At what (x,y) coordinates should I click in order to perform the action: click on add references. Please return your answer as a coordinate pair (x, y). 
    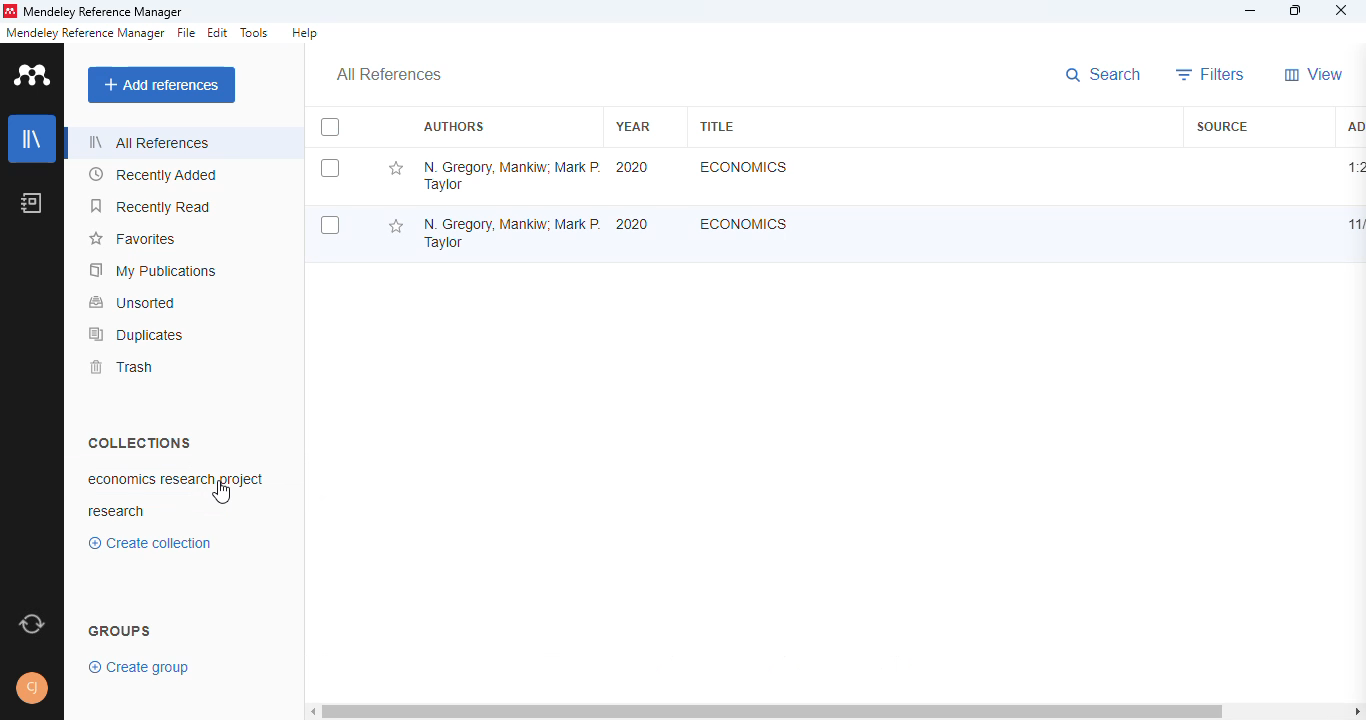
    Looking at the image, I should click on (162, 85).